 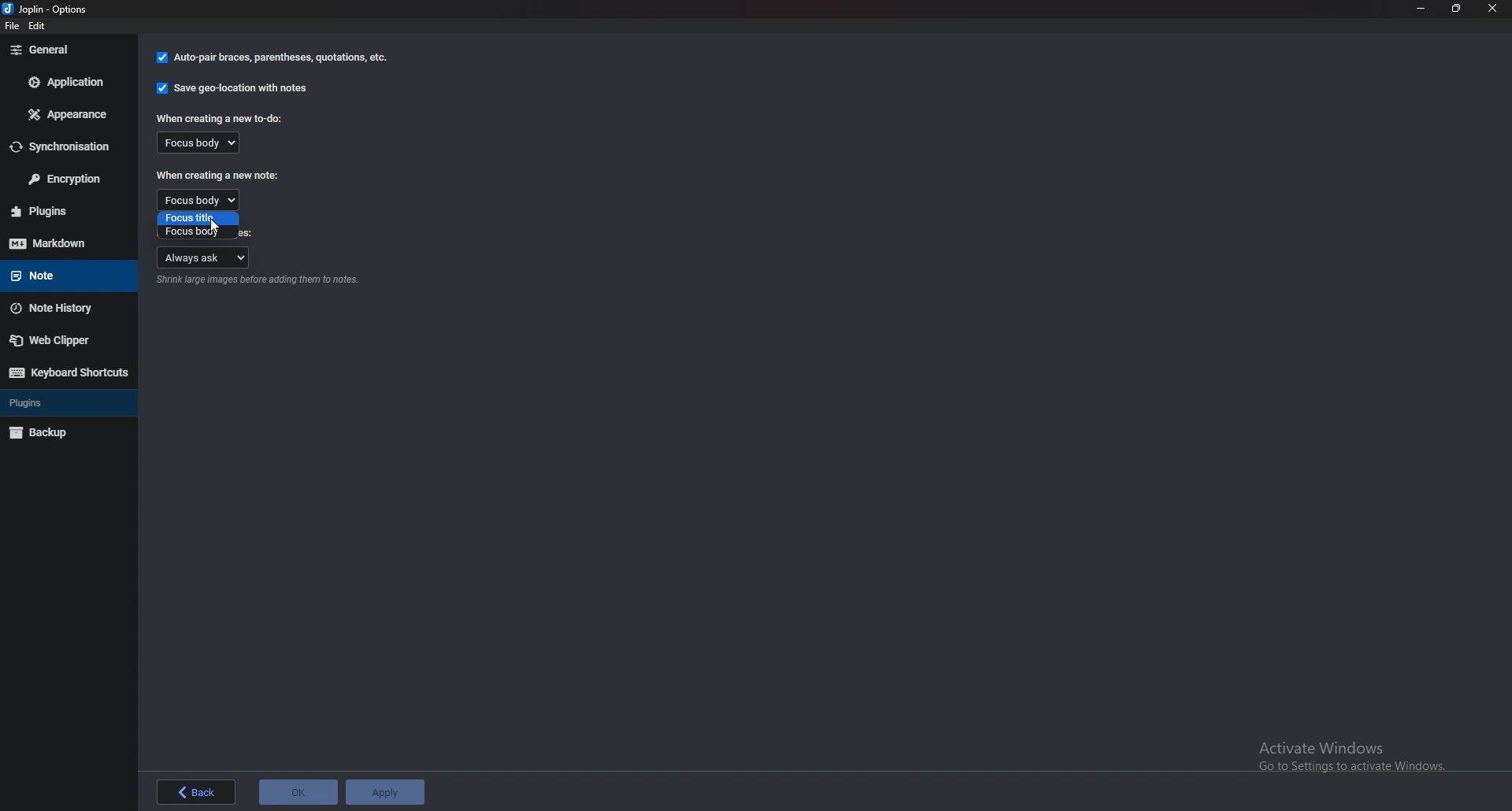 I want to click on Focus title, so click(x=197, y=218).